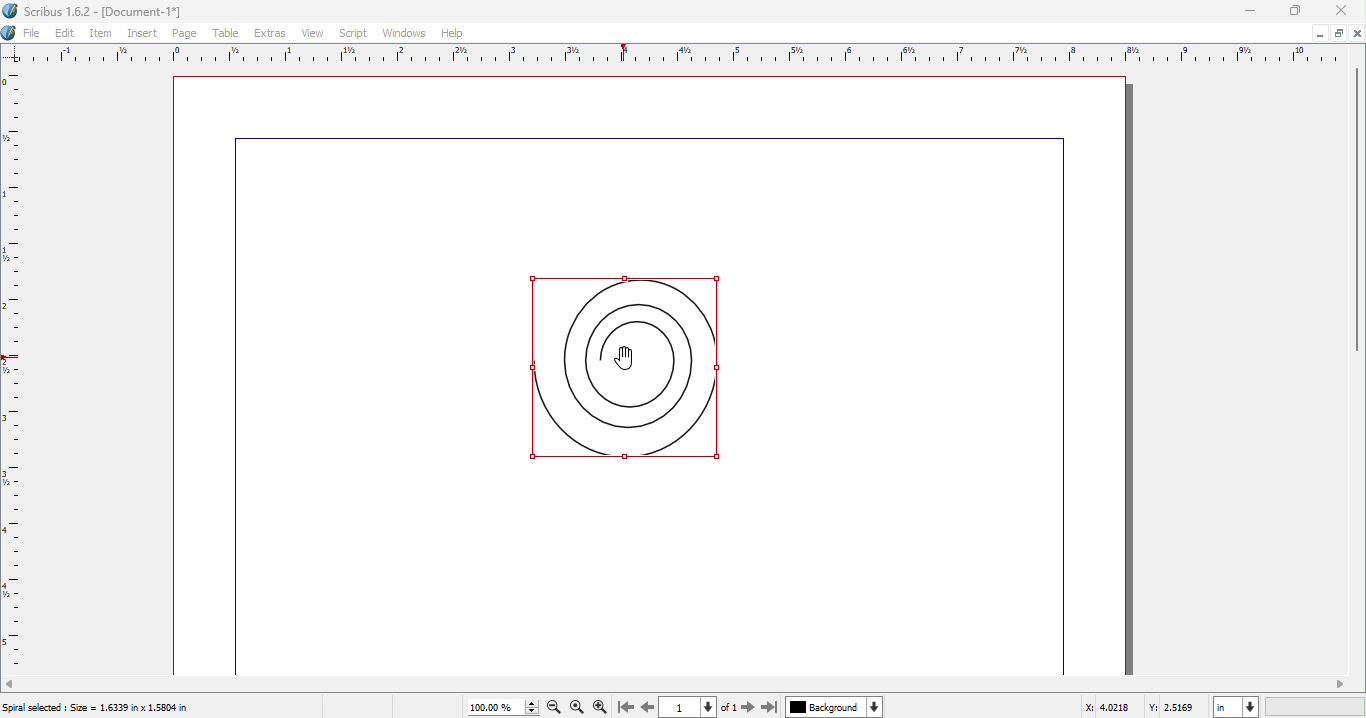 The width and height of the screenshot is (1366, 718). Describe the element at coordinates (1226, 707) in the screenshot. I see `Select the current unit` at that location.